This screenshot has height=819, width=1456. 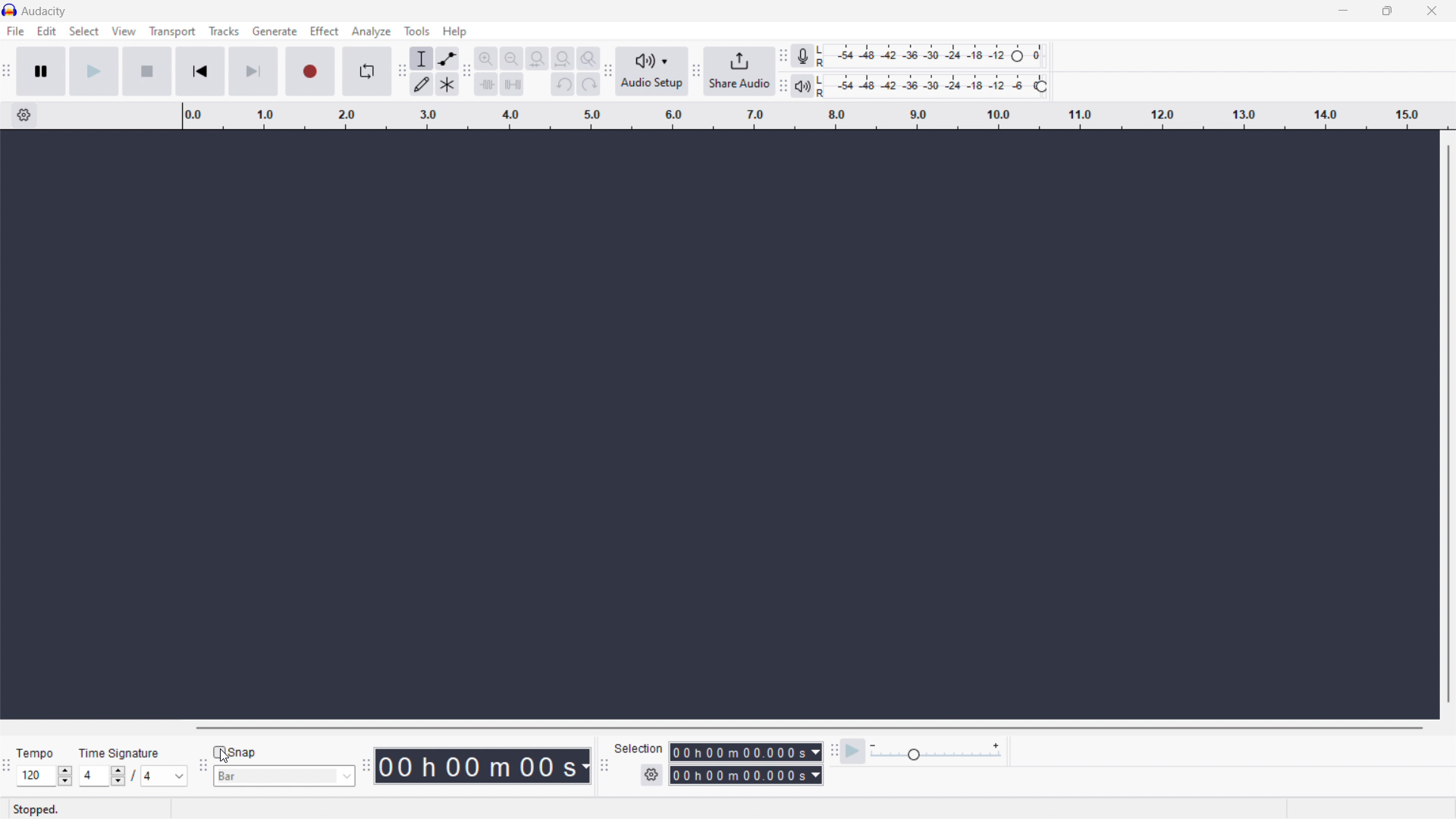 I want to click on trim audio outside selection, so click(x=487, y=83).